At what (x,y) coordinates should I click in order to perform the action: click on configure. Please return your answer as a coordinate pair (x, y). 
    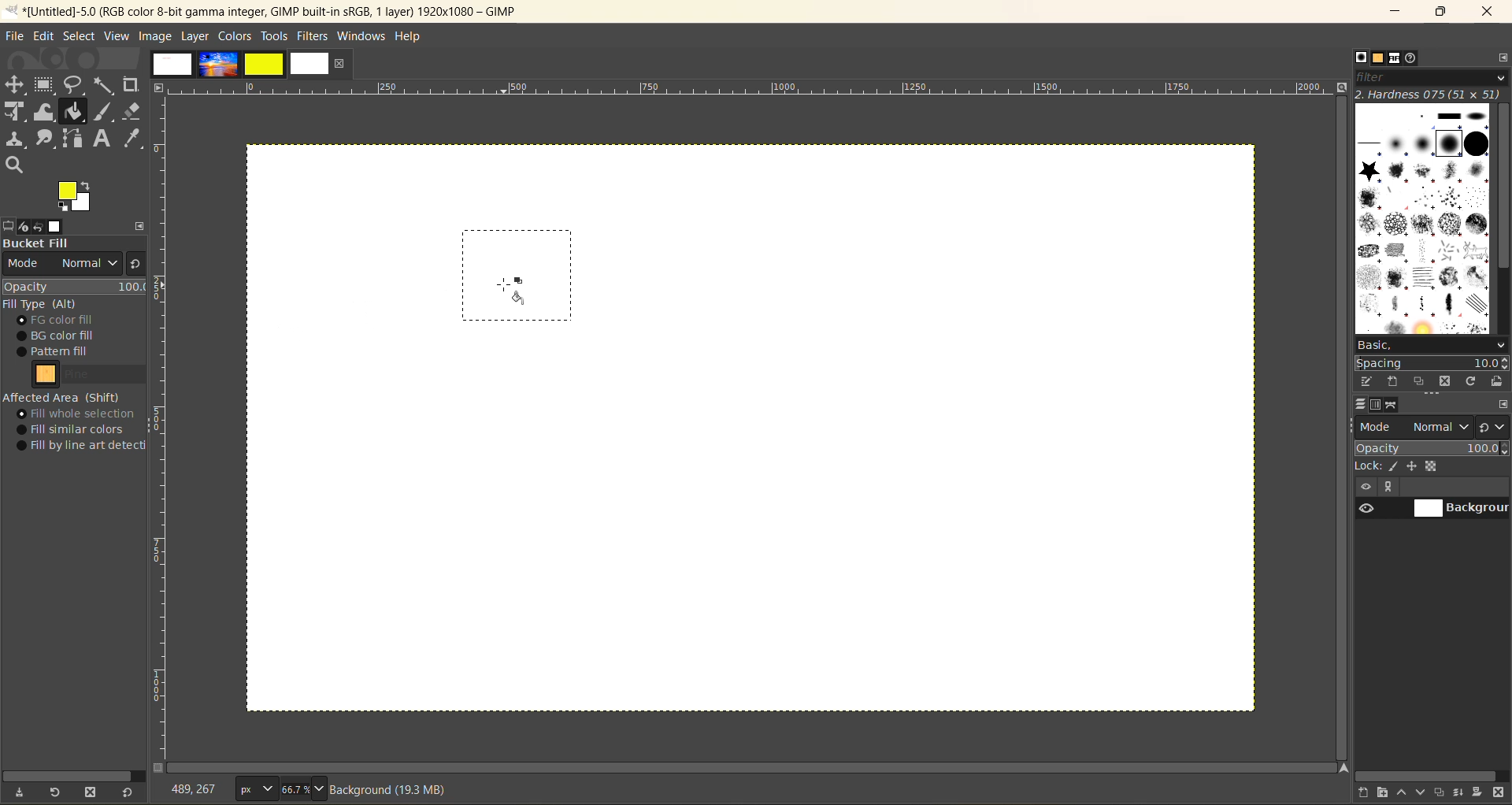
    Looking at the image, I should click on (139, 224).